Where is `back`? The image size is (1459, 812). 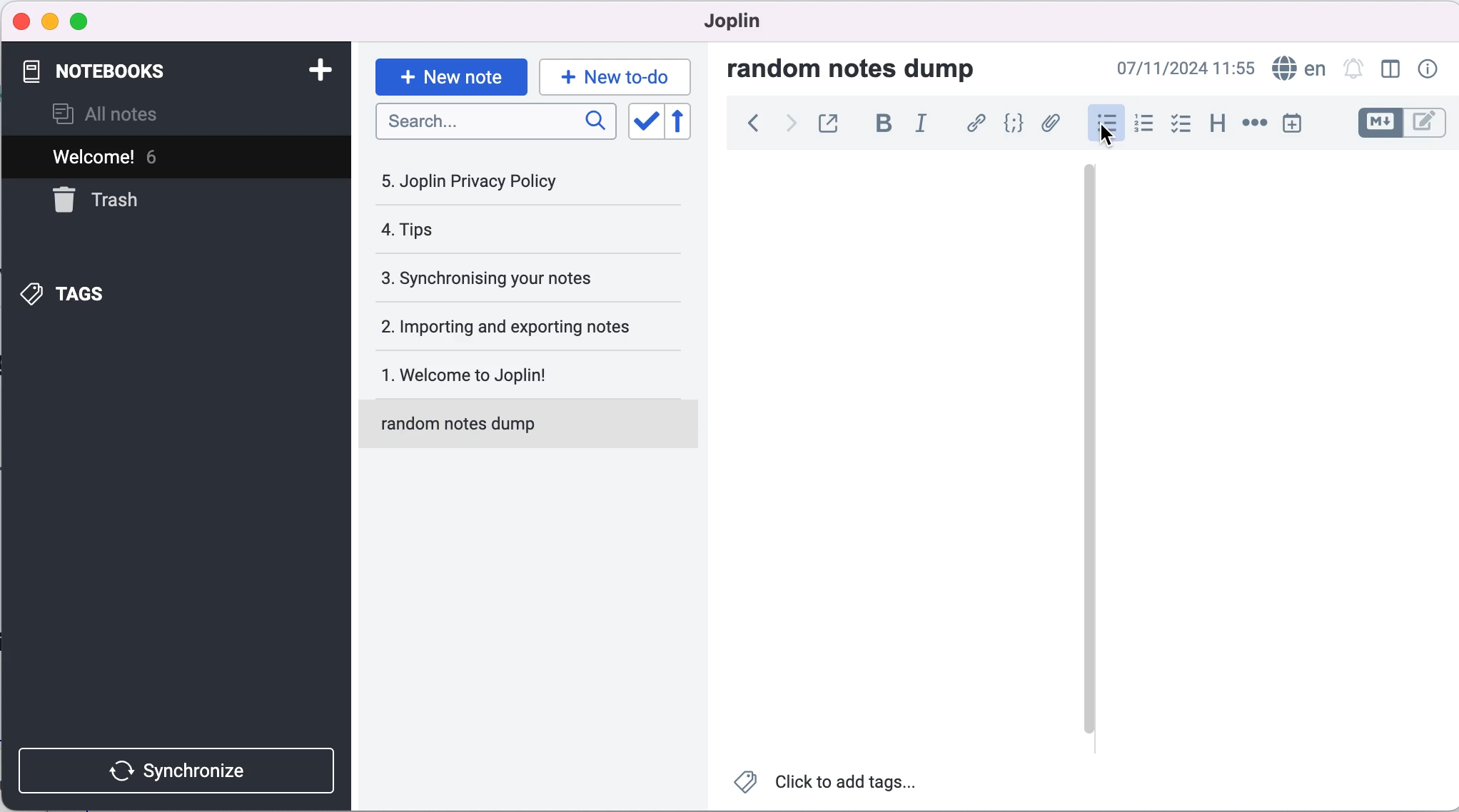 back is located at coordinates (746, 128).